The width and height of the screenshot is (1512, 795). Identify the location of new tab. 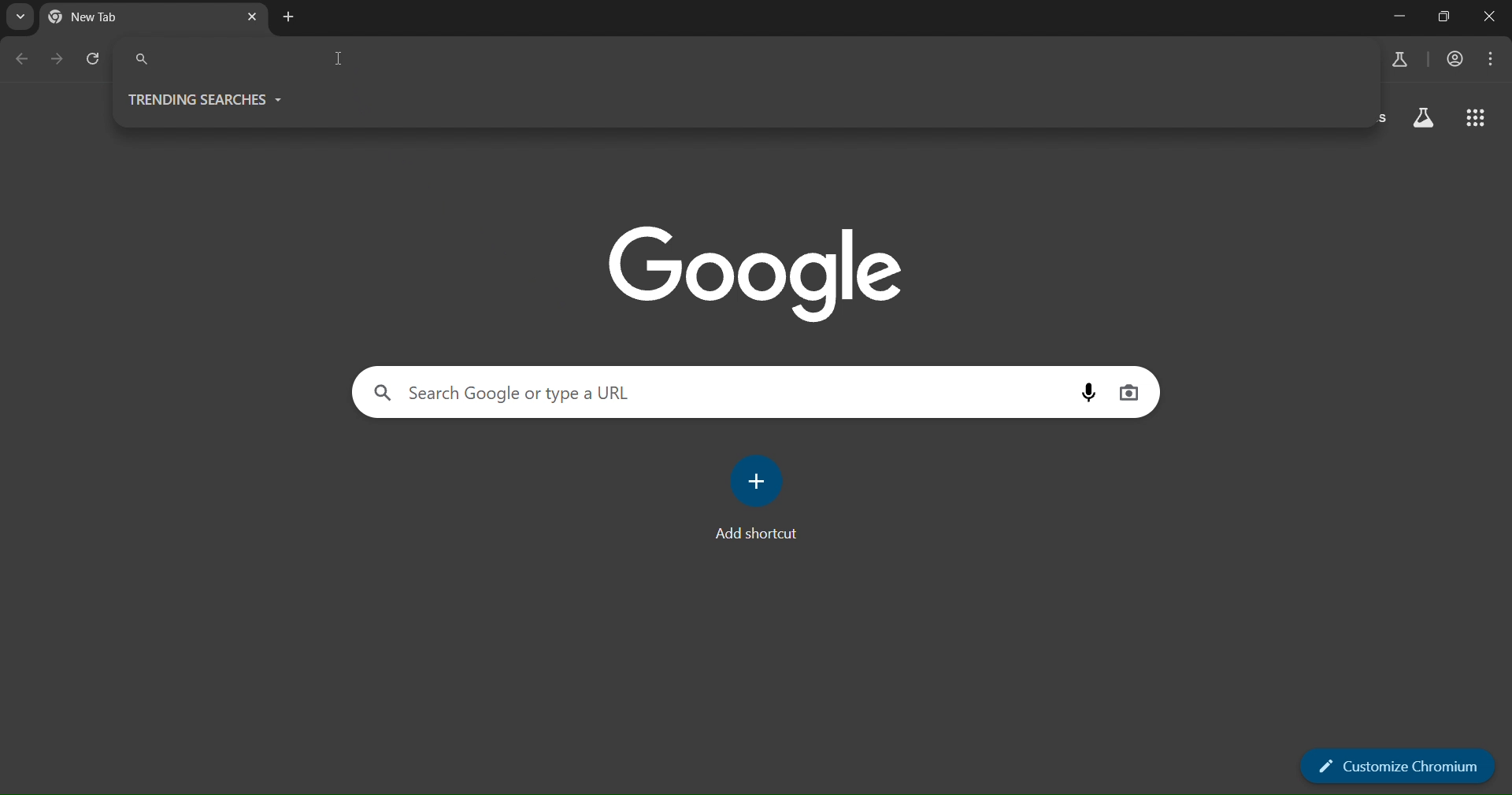
(291, 19).